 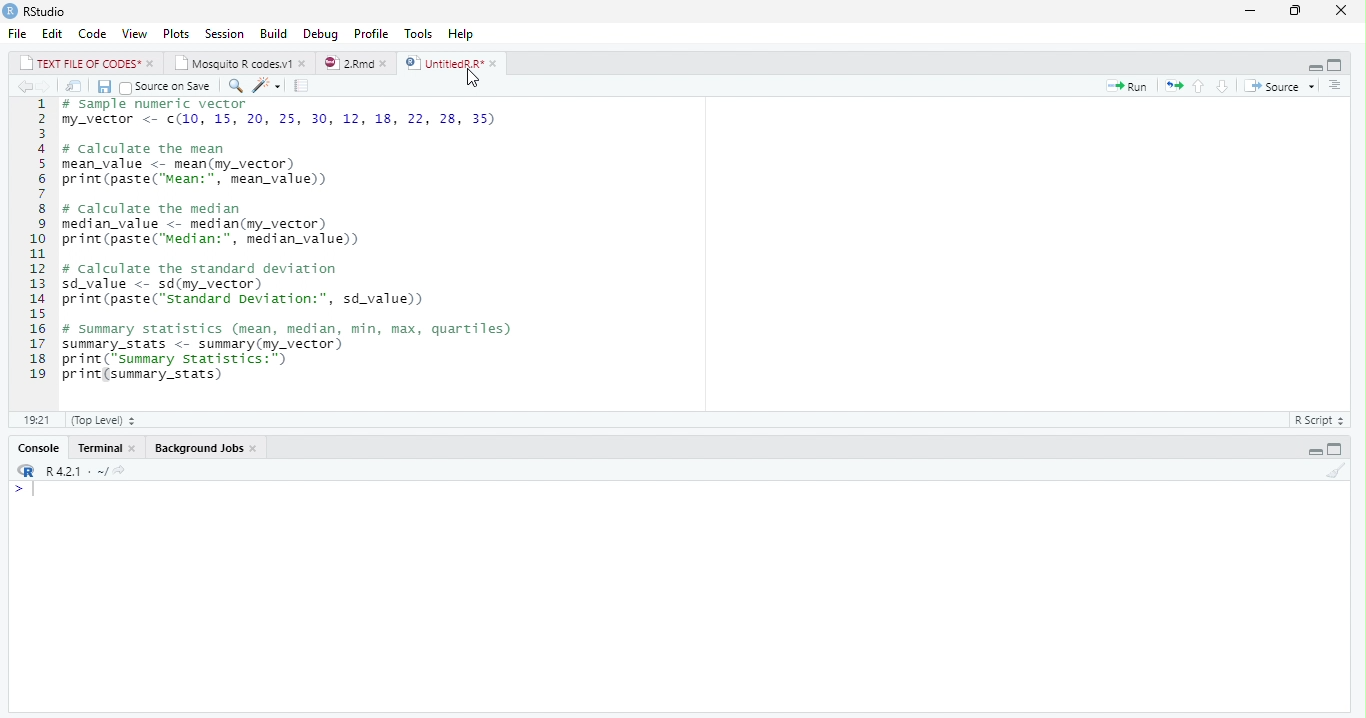 What do you see at coordinates (93, 33) in the screenshot?
I see `code` at bounding box center [93, 33].